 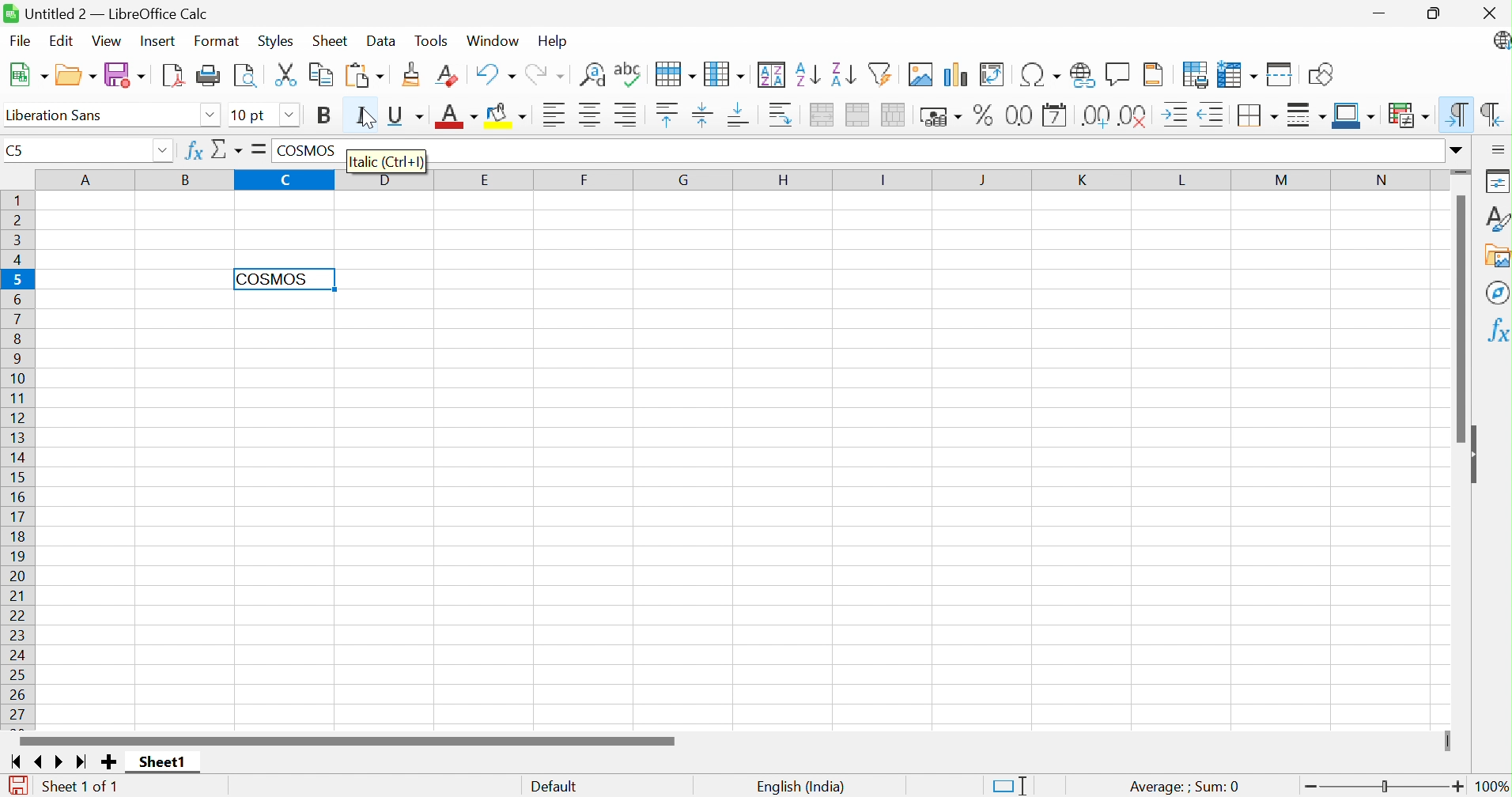 I want to click on Delete decimal place, so click(x=1133, y=115).